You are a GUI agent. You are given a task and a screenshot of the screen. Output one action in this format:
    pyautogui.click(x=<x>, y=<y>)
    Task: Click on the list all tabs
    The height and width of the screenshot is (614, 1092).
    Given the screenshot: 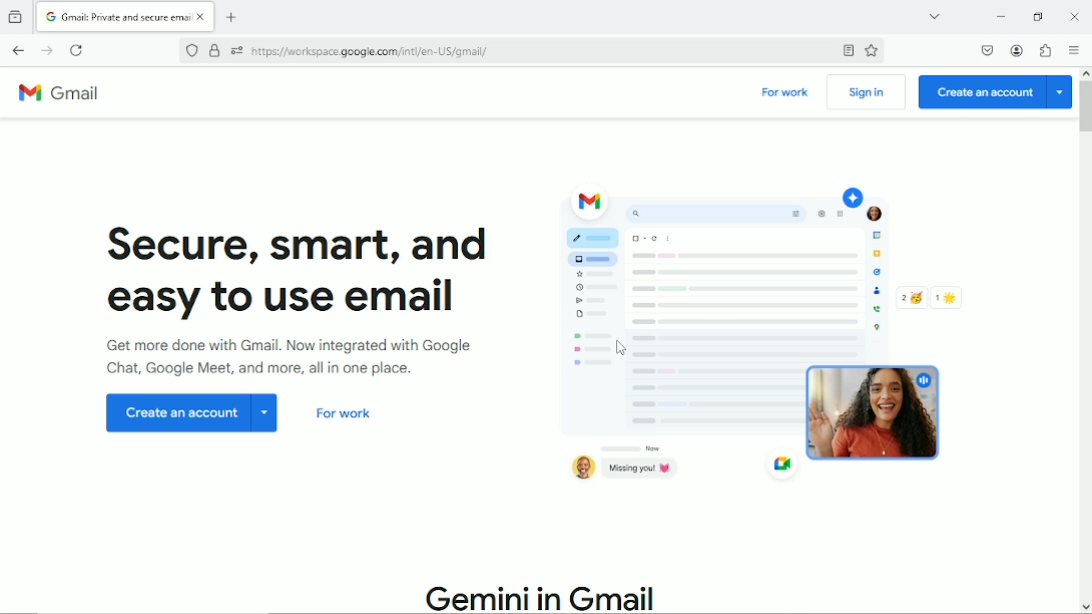 What is the action you would take?
    pyautogui.click(x=931, y=15)
    